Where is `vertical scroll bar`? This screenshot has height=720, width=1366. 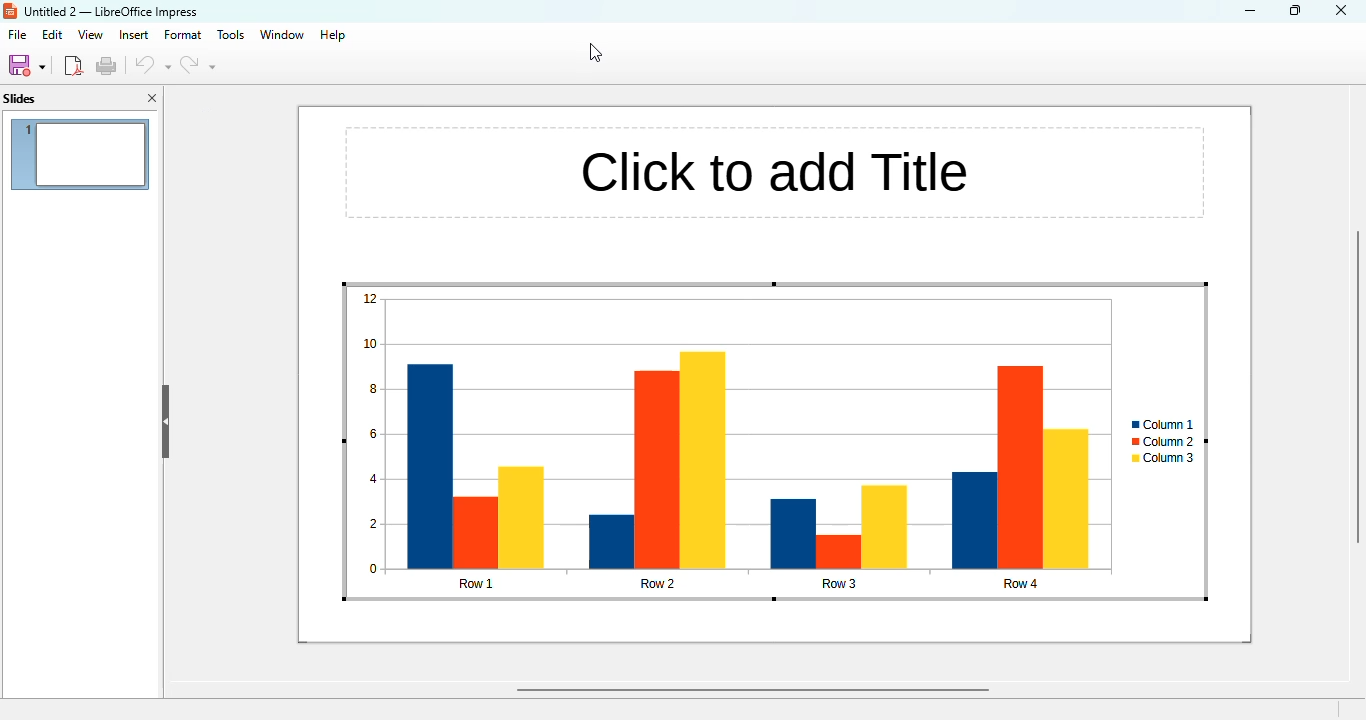
vertical scroll bar is located at coordinates (1352, 379).